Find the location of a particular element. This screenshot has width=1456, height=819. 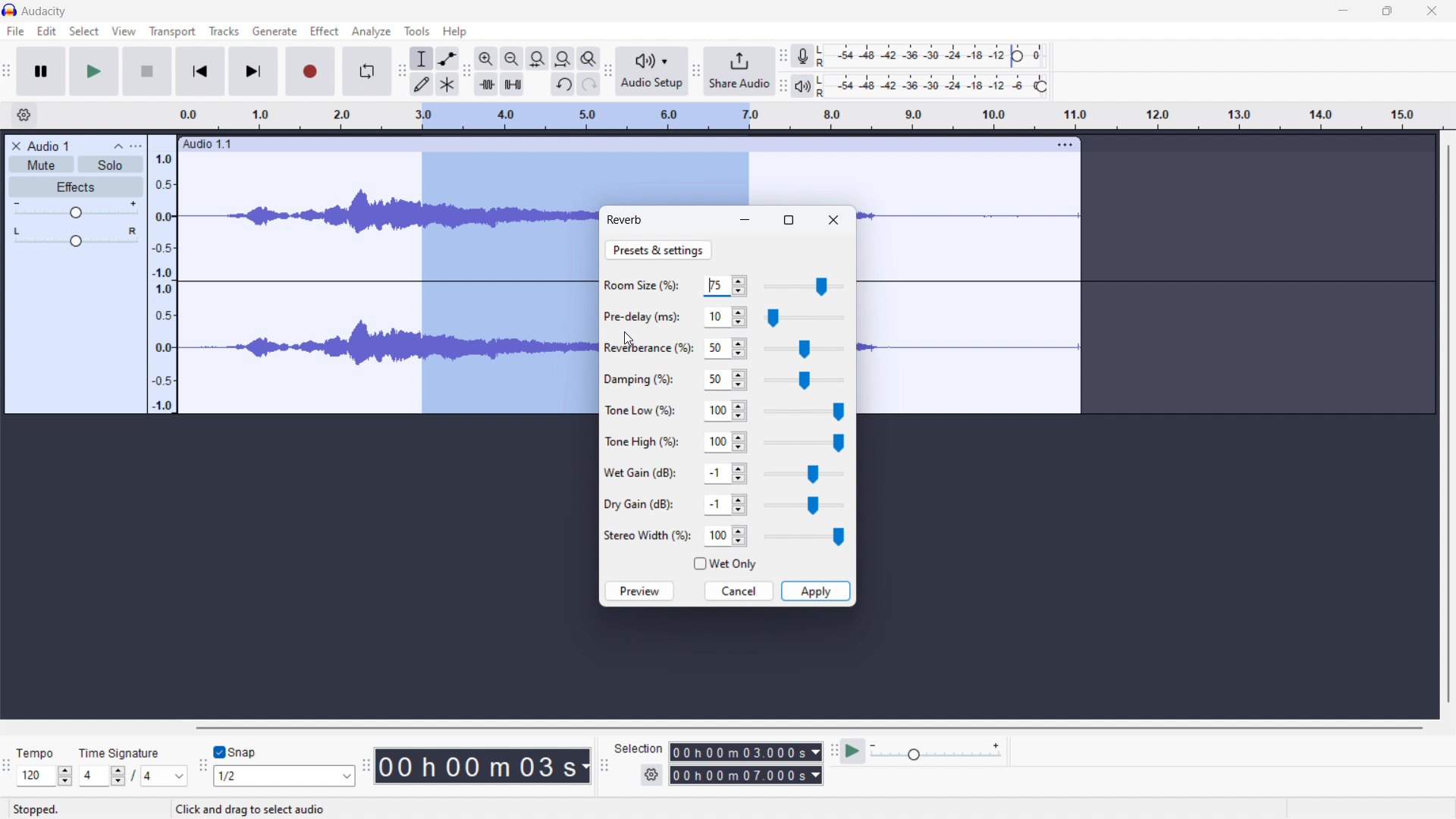

collapse is located at coordinates (118, 145).